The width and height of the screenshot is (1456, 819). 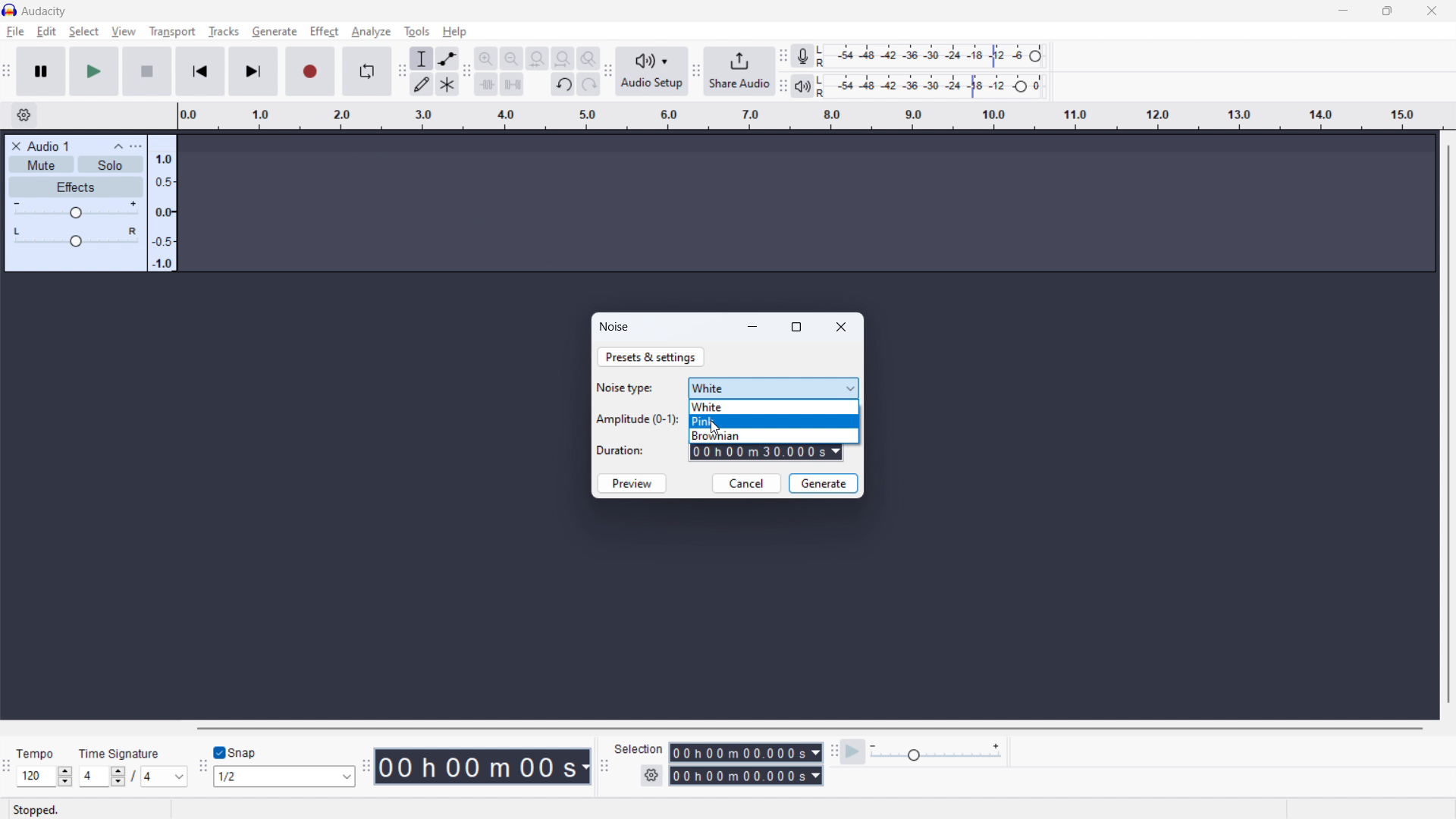 I want to click on effects, so click(x=75, y=186).